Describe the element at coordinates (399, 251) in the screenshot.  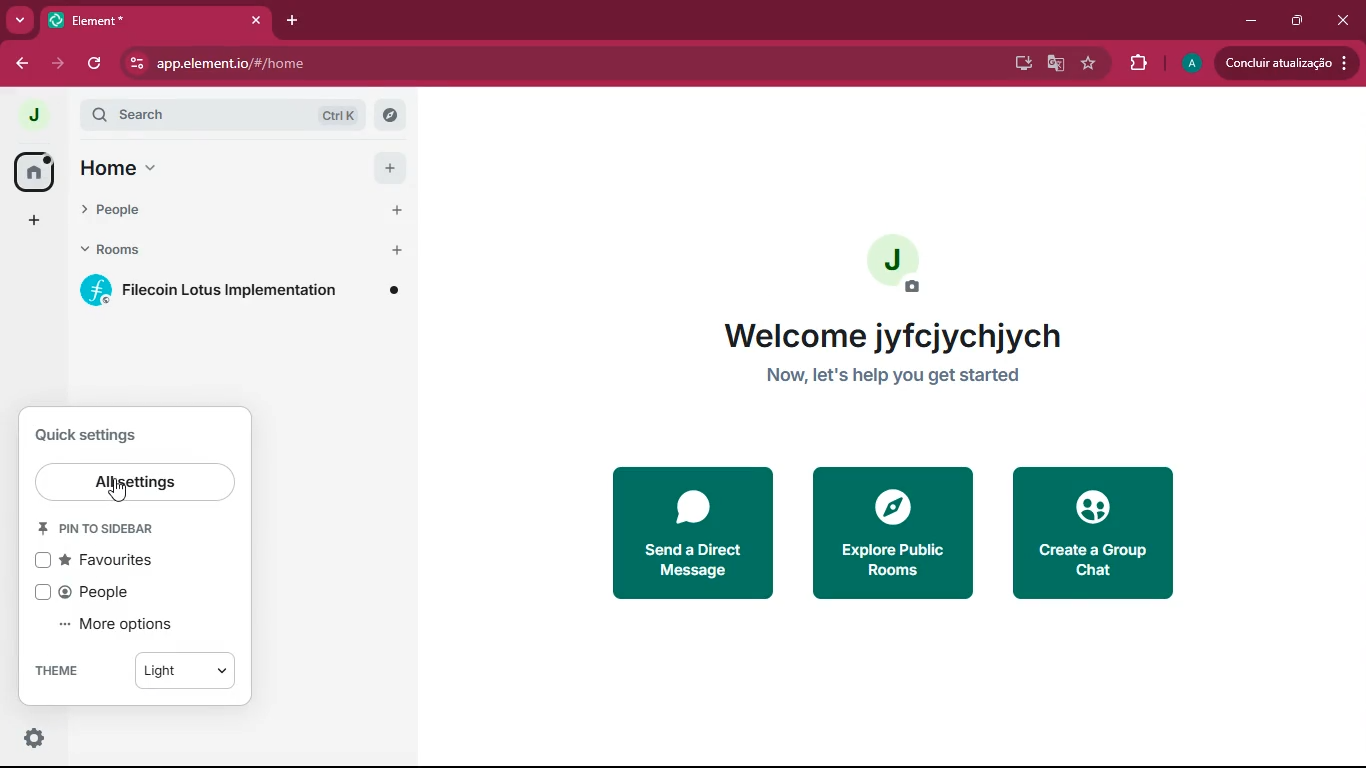
I see `add room` at that location.